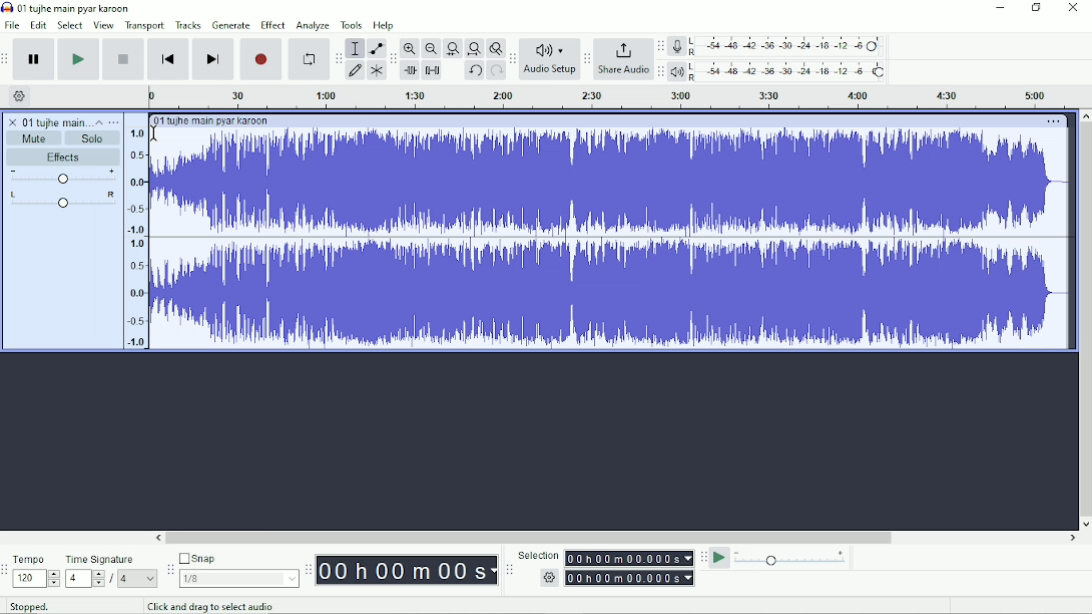  I want to click on Click and drag to select audio, so click(213, 607).